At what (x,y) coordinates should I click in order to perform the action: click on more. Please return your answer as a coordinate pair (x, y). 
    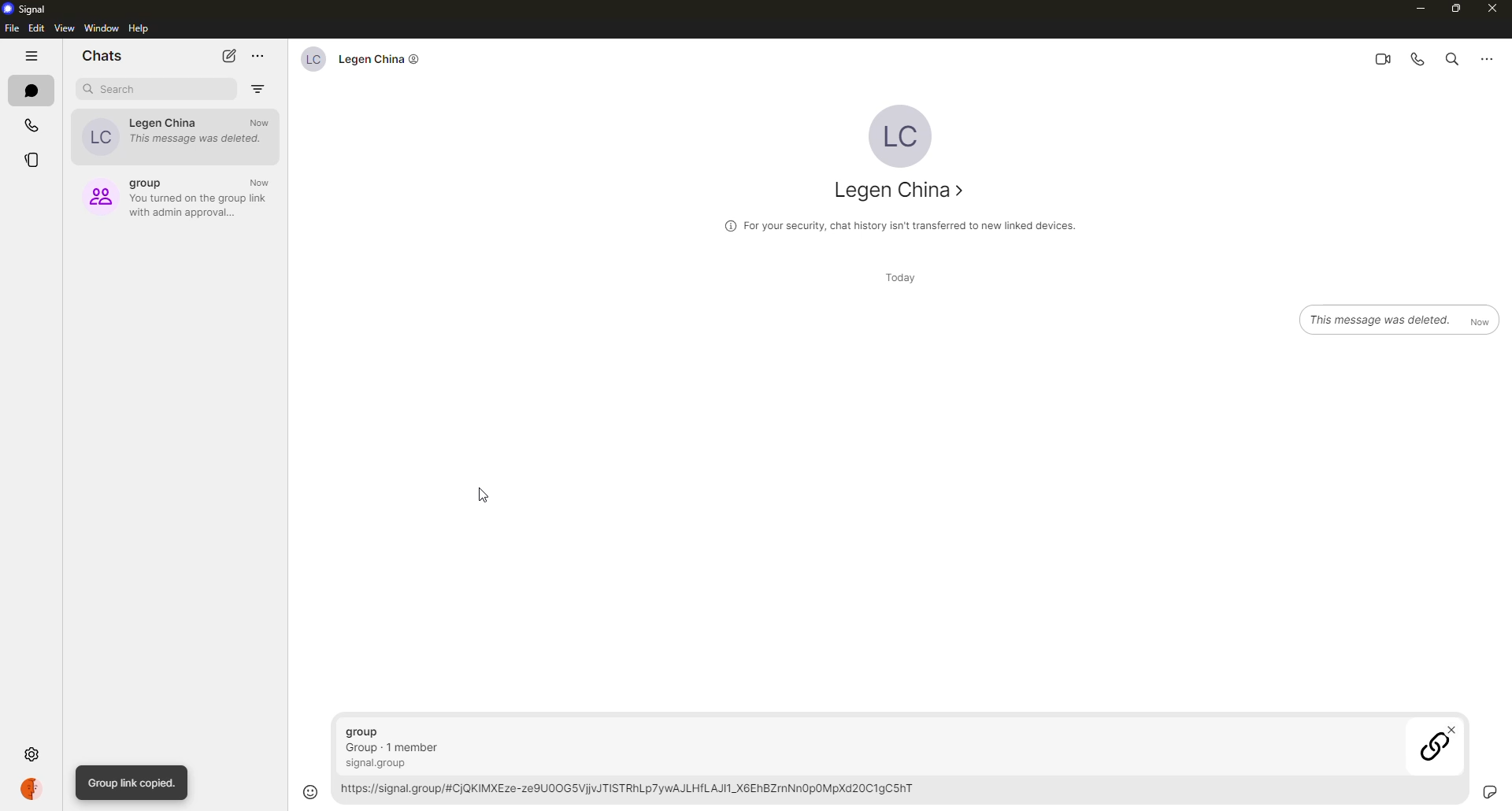
    Looking at the image, I should click on (1487, 57).